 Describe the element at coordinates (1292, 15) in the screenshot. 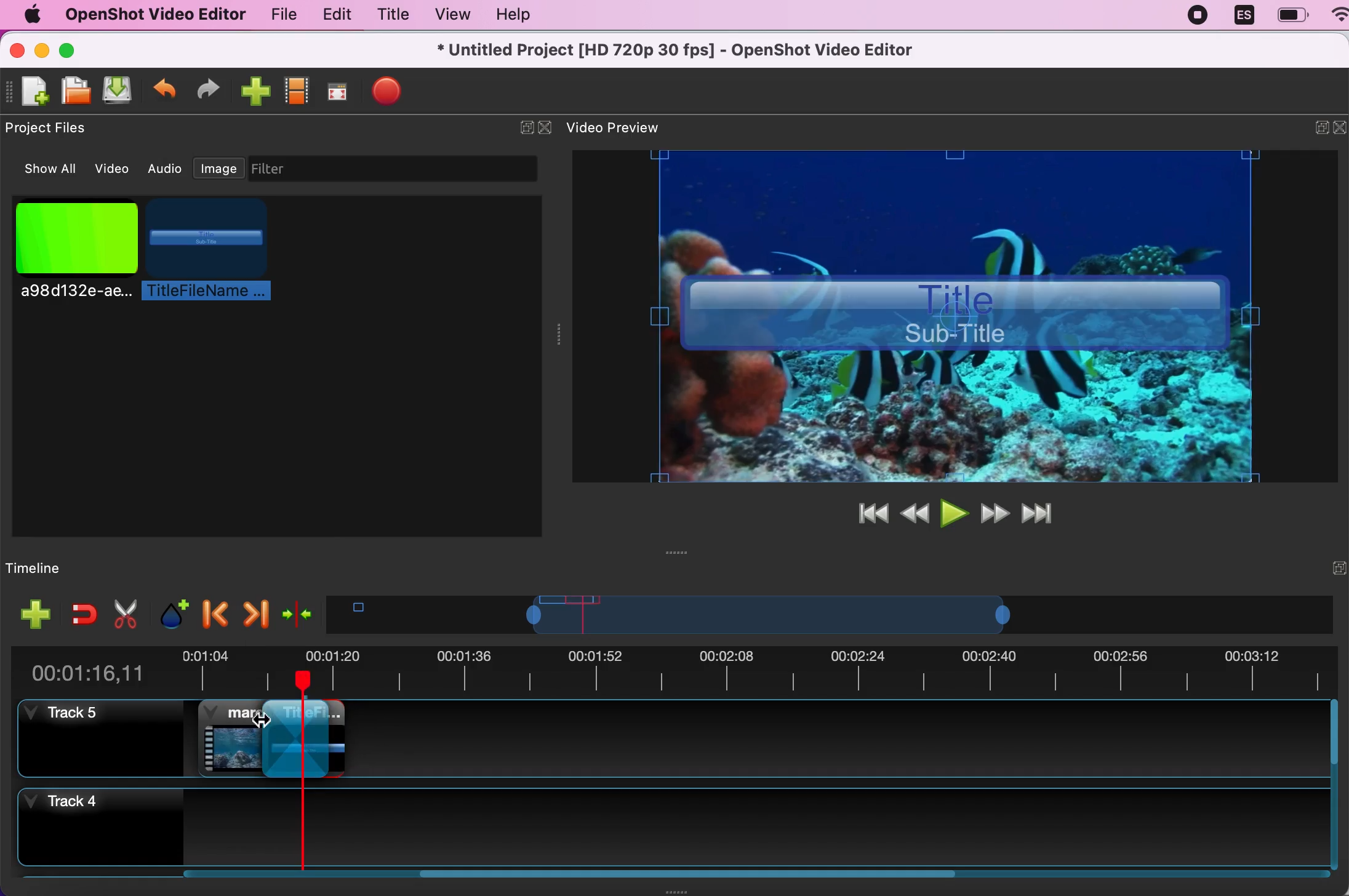

I see `battery` at that location.